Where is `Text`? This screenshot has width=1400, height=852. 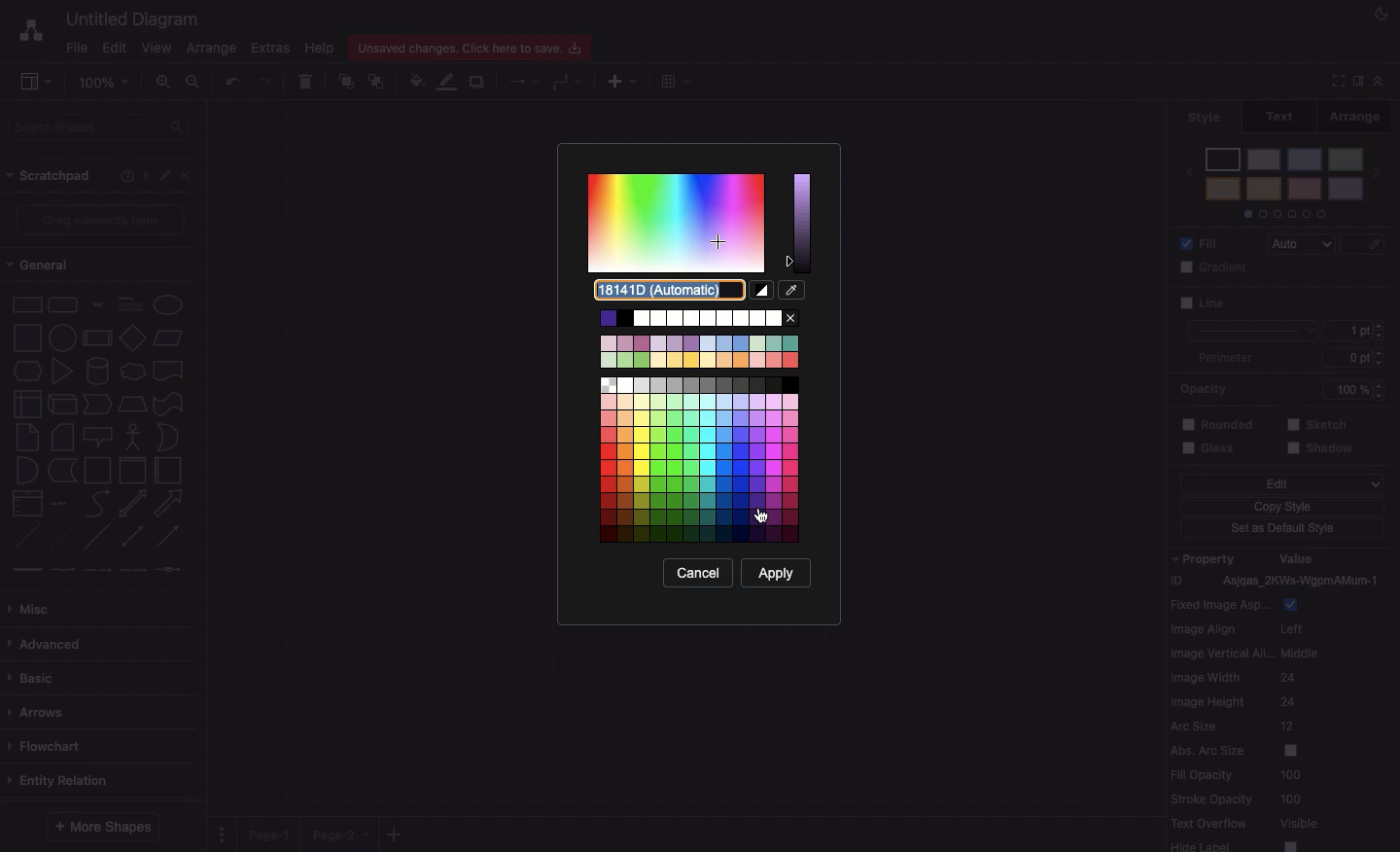 Text is located at coordinates (1286, 115).